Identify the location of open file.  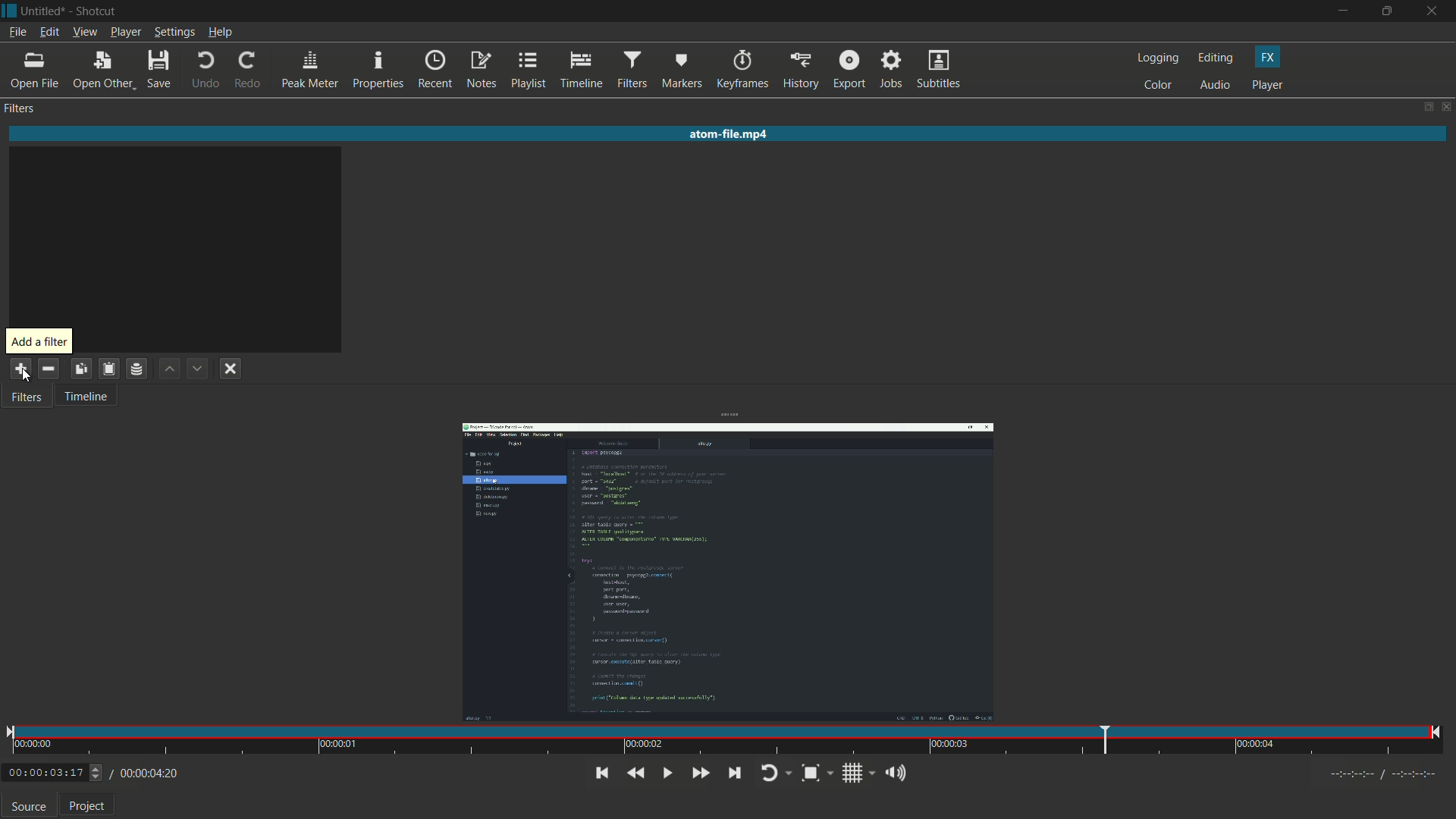
(36, 70).